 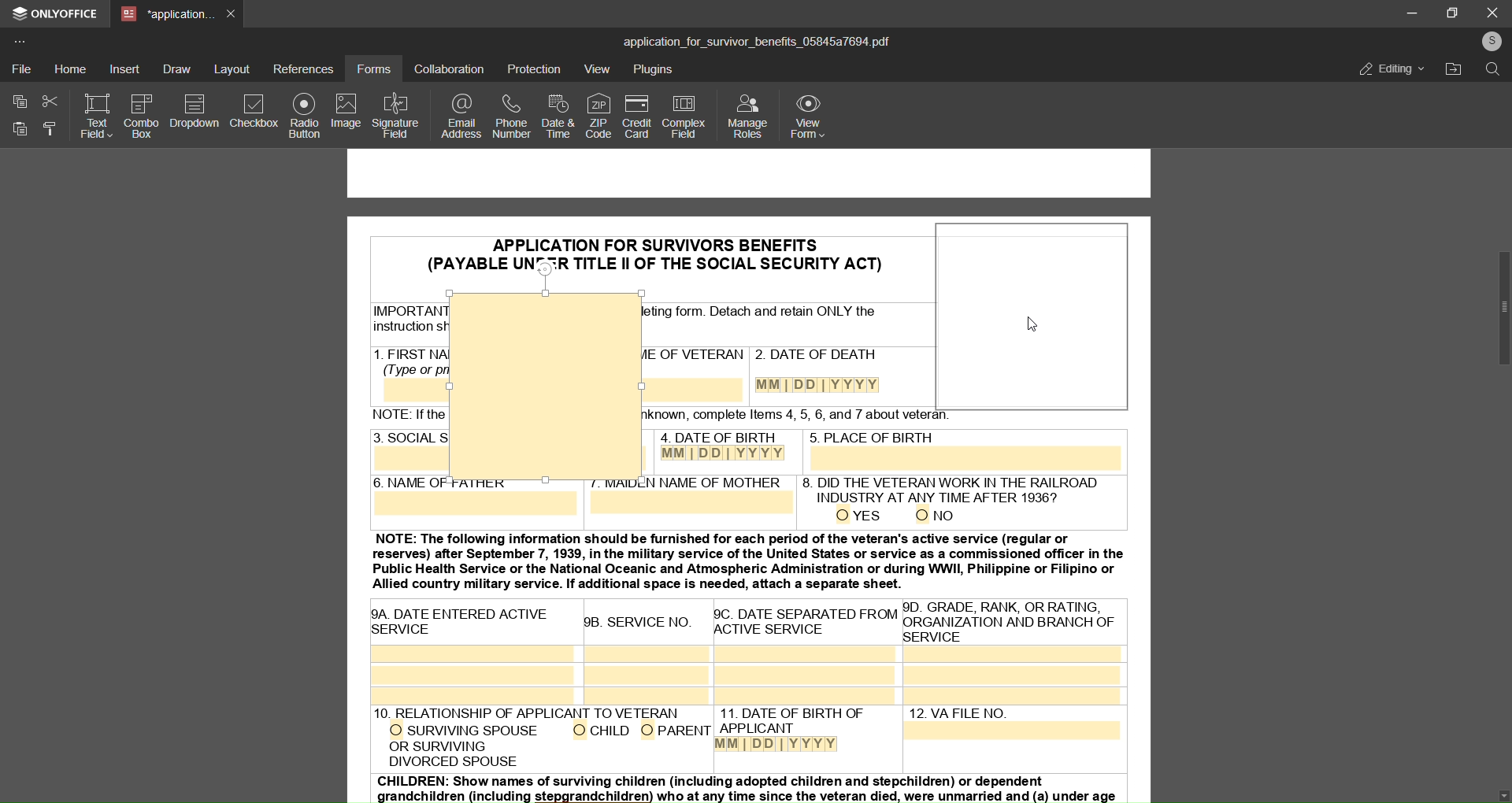 What do you see at coordinates (1492, 72) in the screenshot?
I see `search` at bounding box center [1492, 72].